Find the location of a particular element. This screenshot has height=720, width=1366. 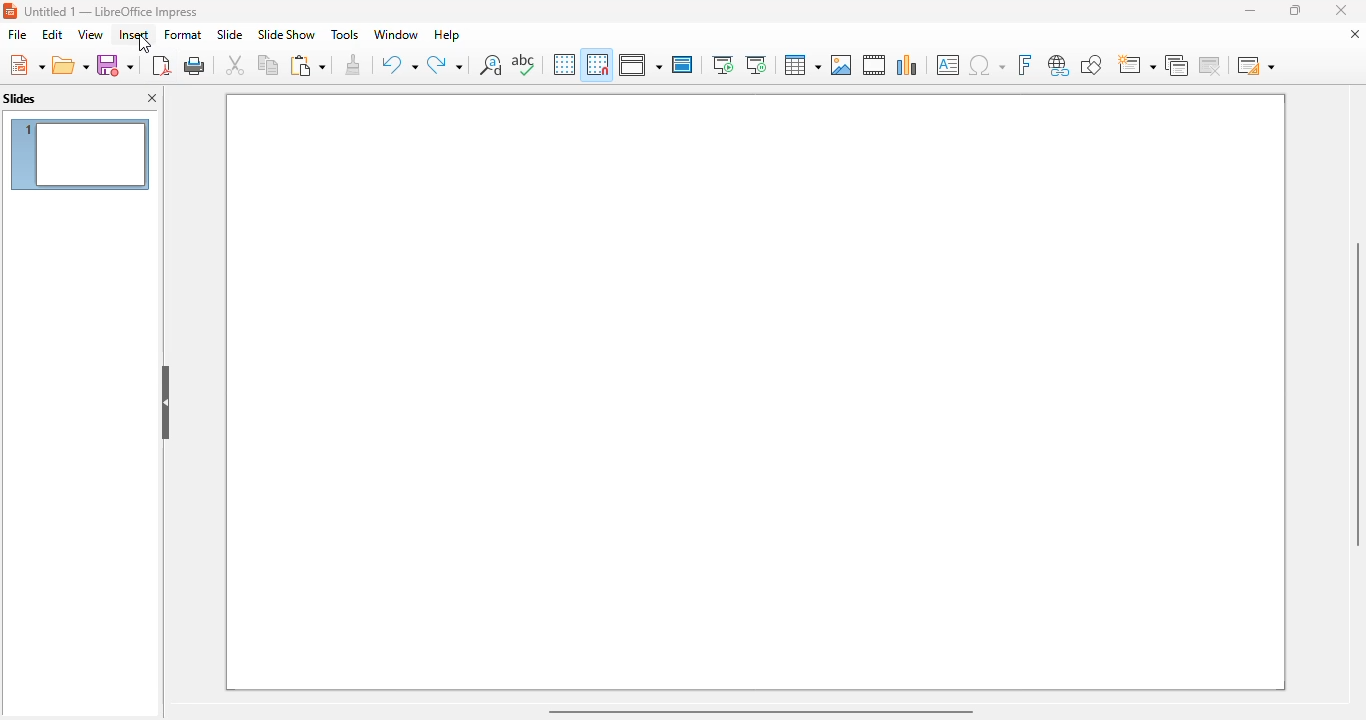

hide is located at coordinates (166, 403).